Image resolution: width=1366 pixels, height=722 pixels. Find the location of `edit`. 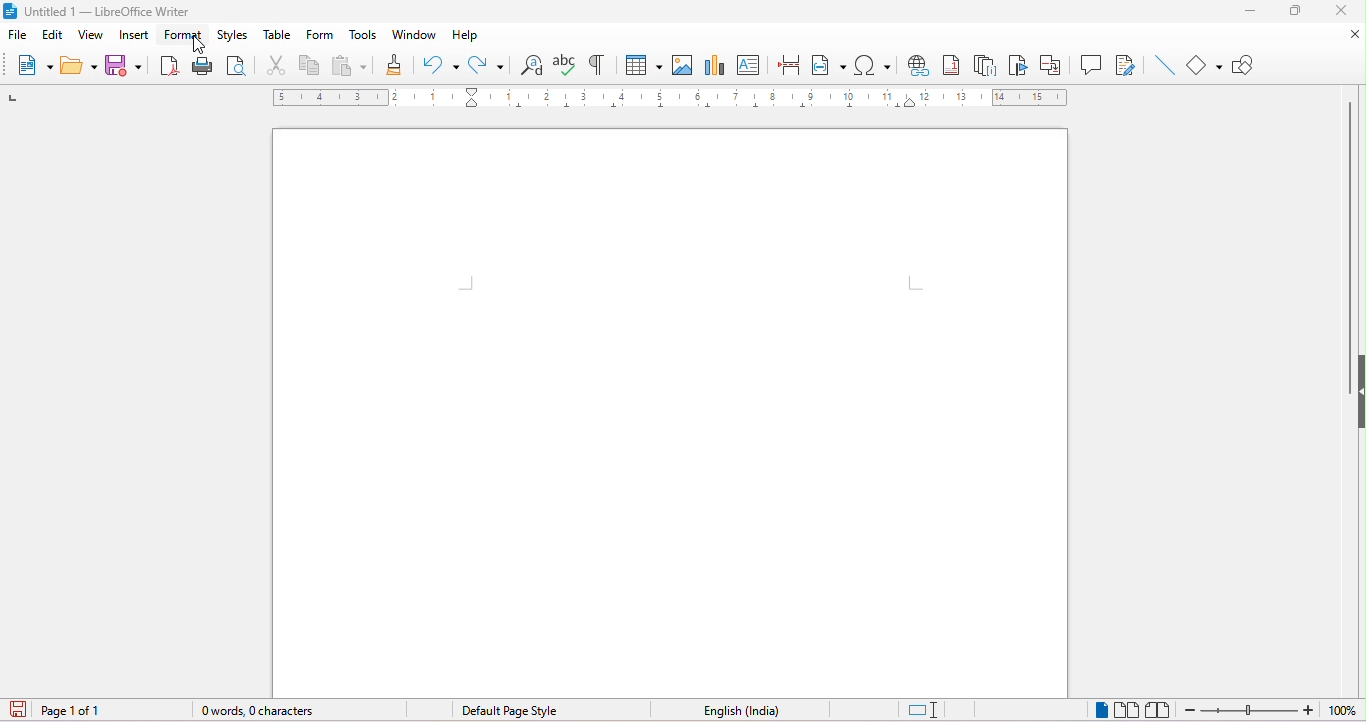

edit is located at coordinates (53, 32).